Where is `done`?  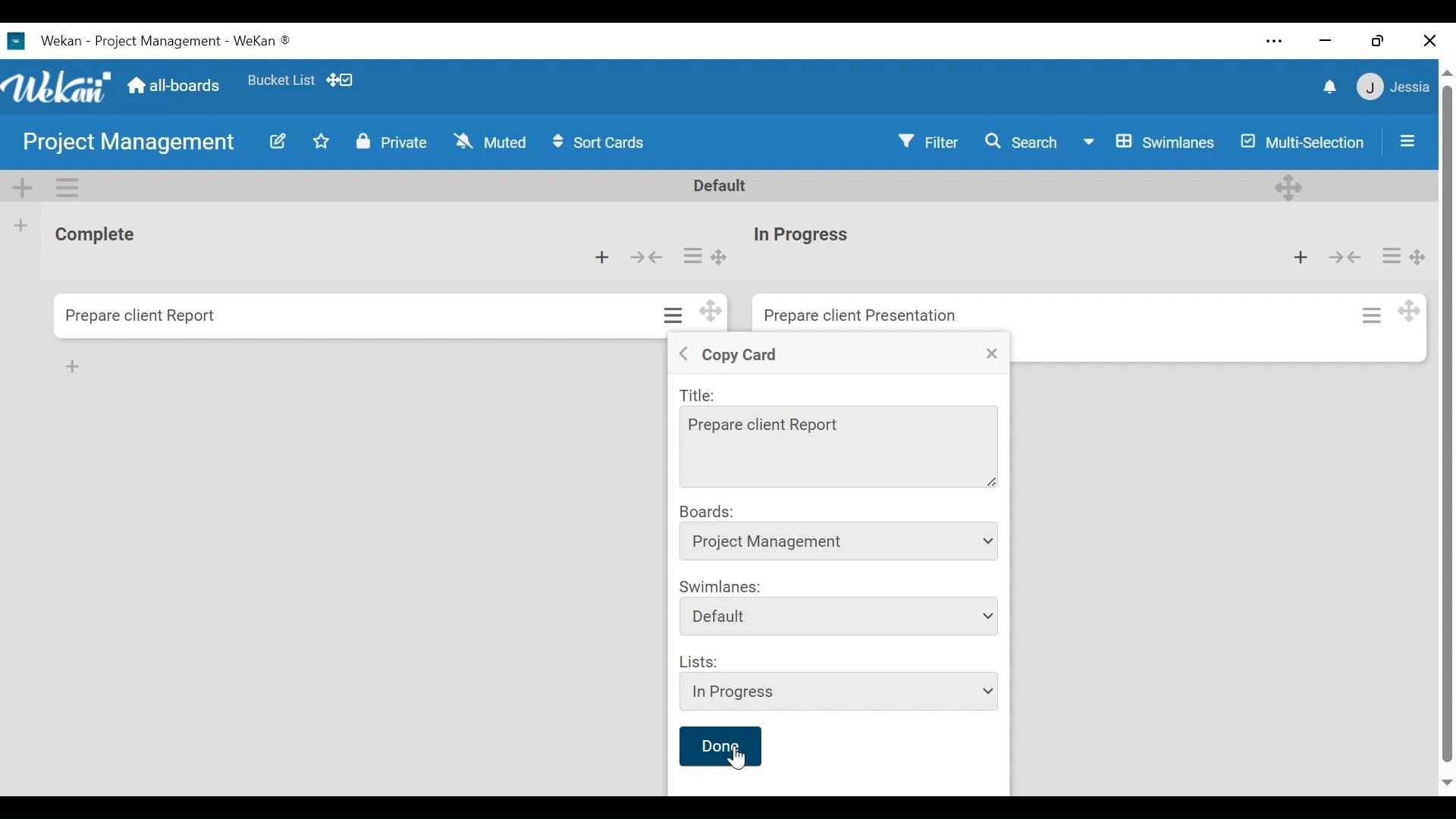
done is located at coordinates (732, 748).